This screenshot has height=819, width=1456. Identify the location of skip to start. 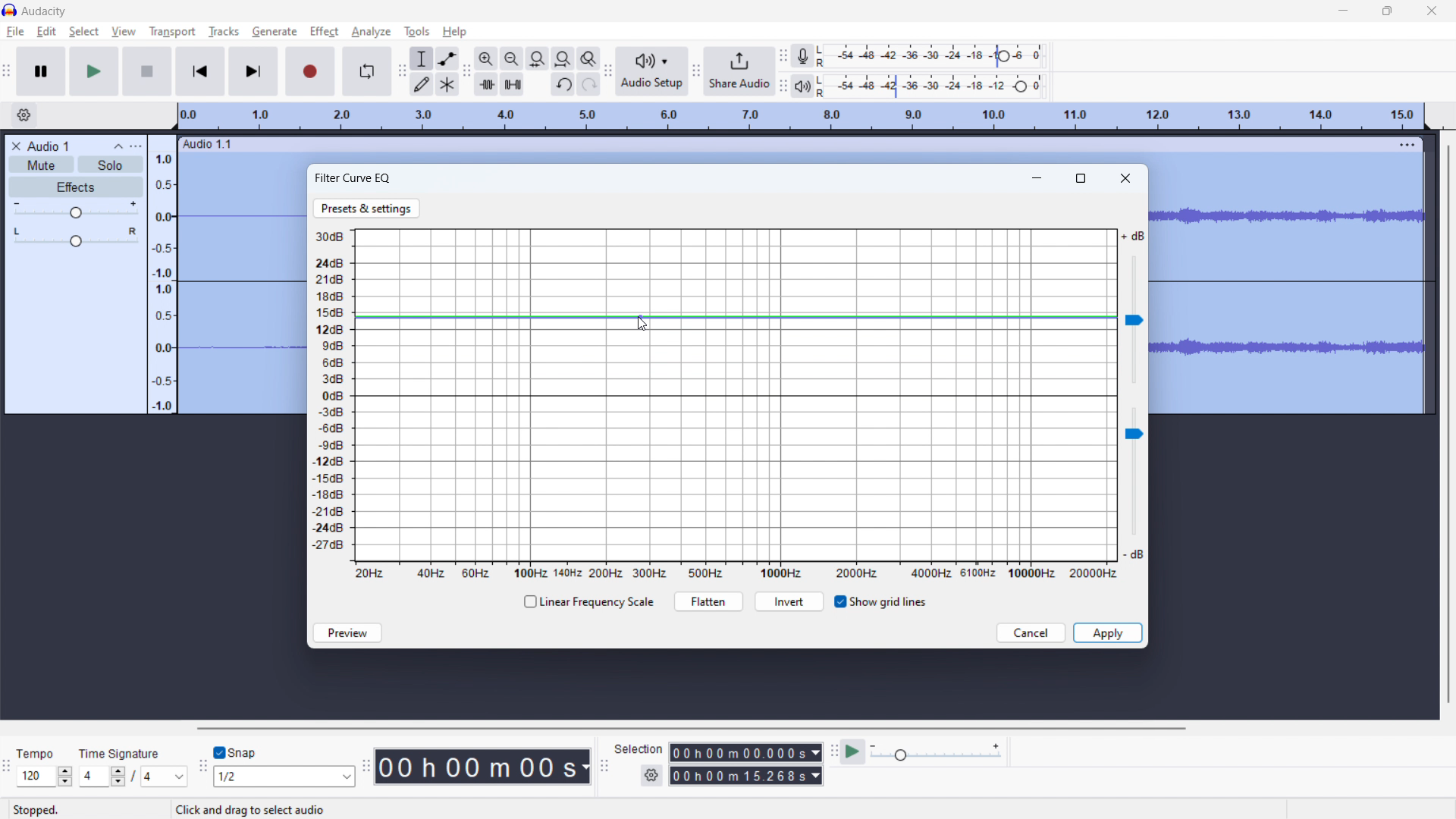
(200, 71).